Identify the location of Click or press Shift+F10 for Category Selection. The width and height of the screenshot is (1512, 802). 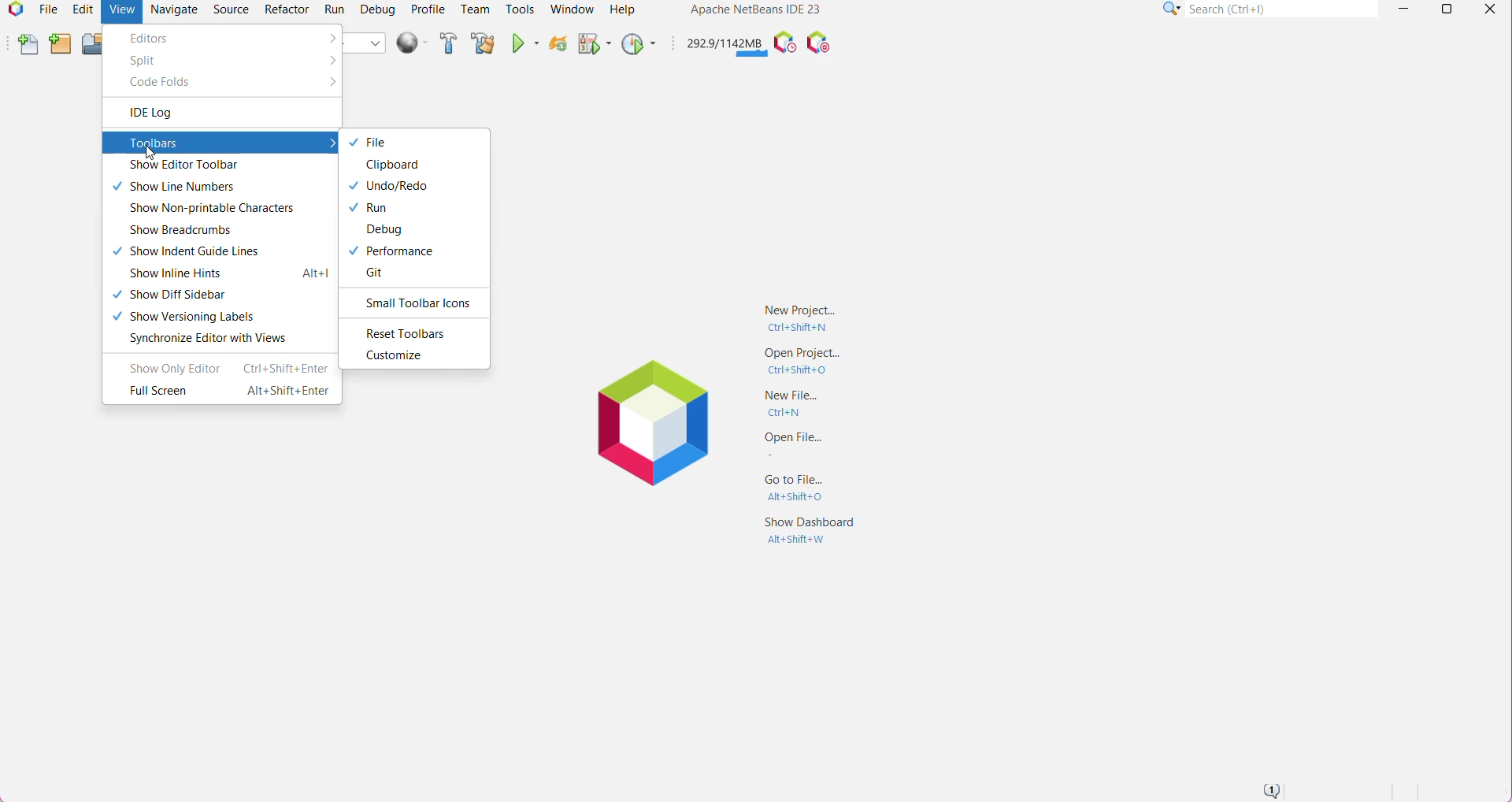
(1172, 9).